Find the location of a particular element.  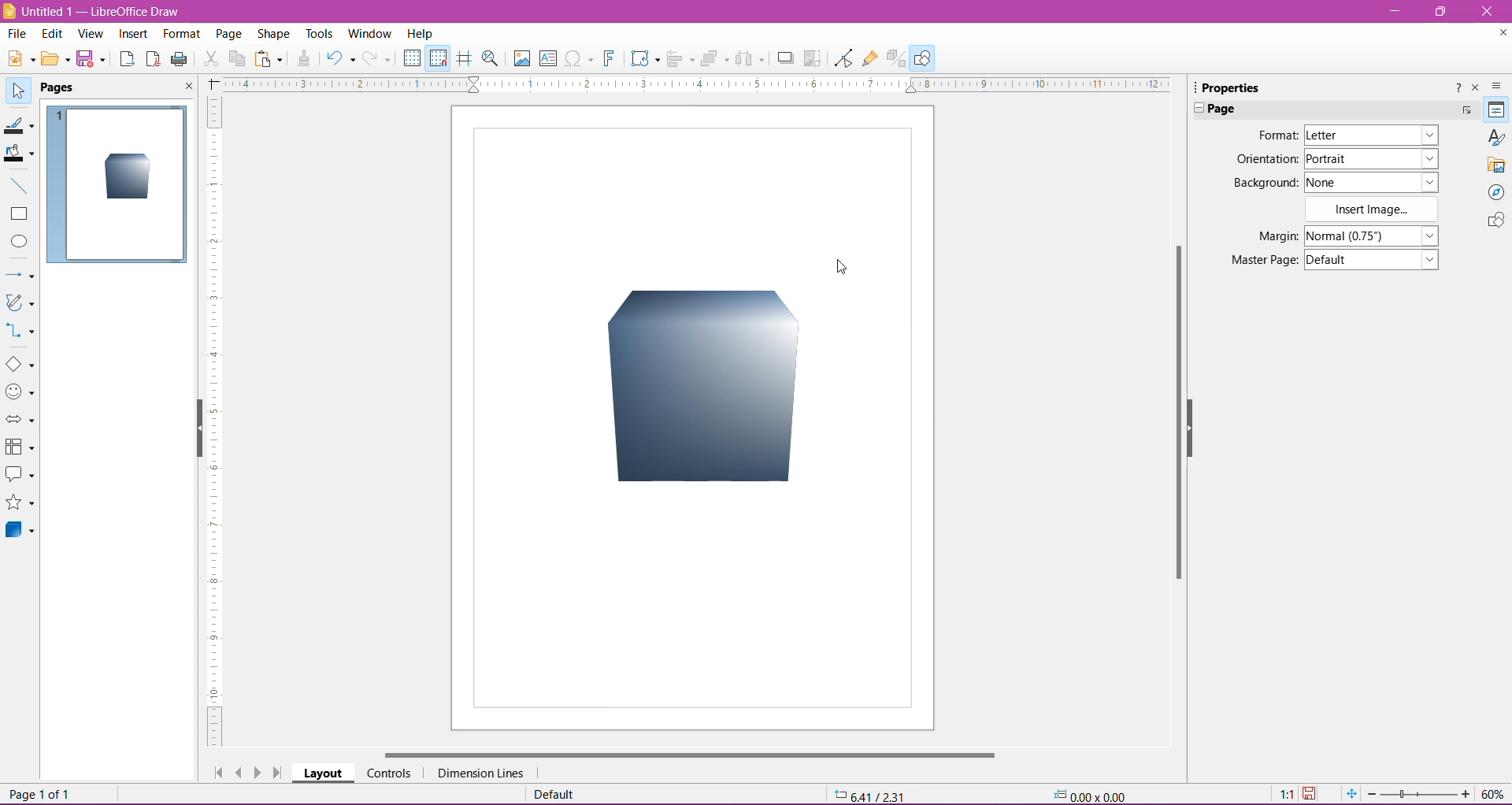

Lines and Arrows is located at coordinates (20, 276).